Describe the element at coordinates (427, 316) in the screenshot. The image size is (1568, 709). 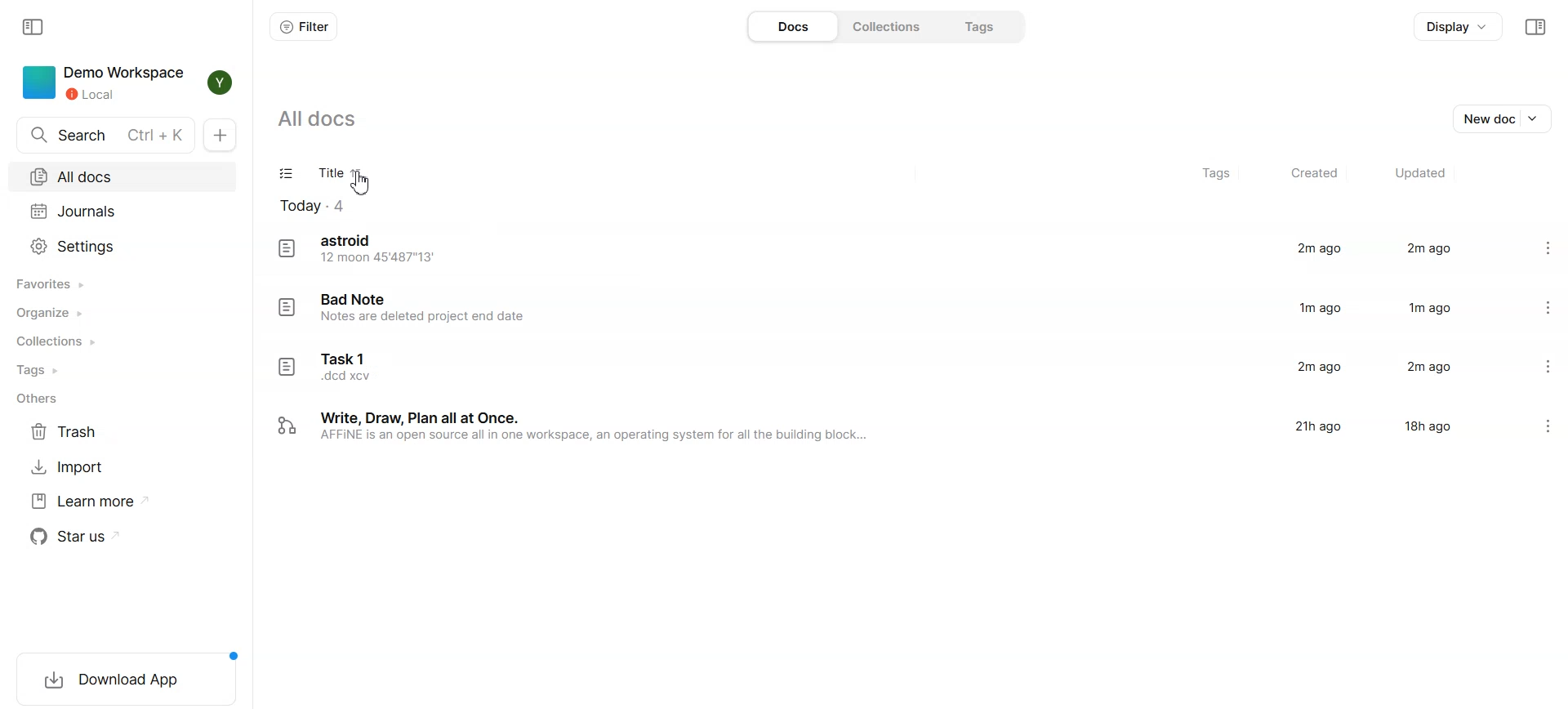
I see `Notes are deleted project end date` at that location.